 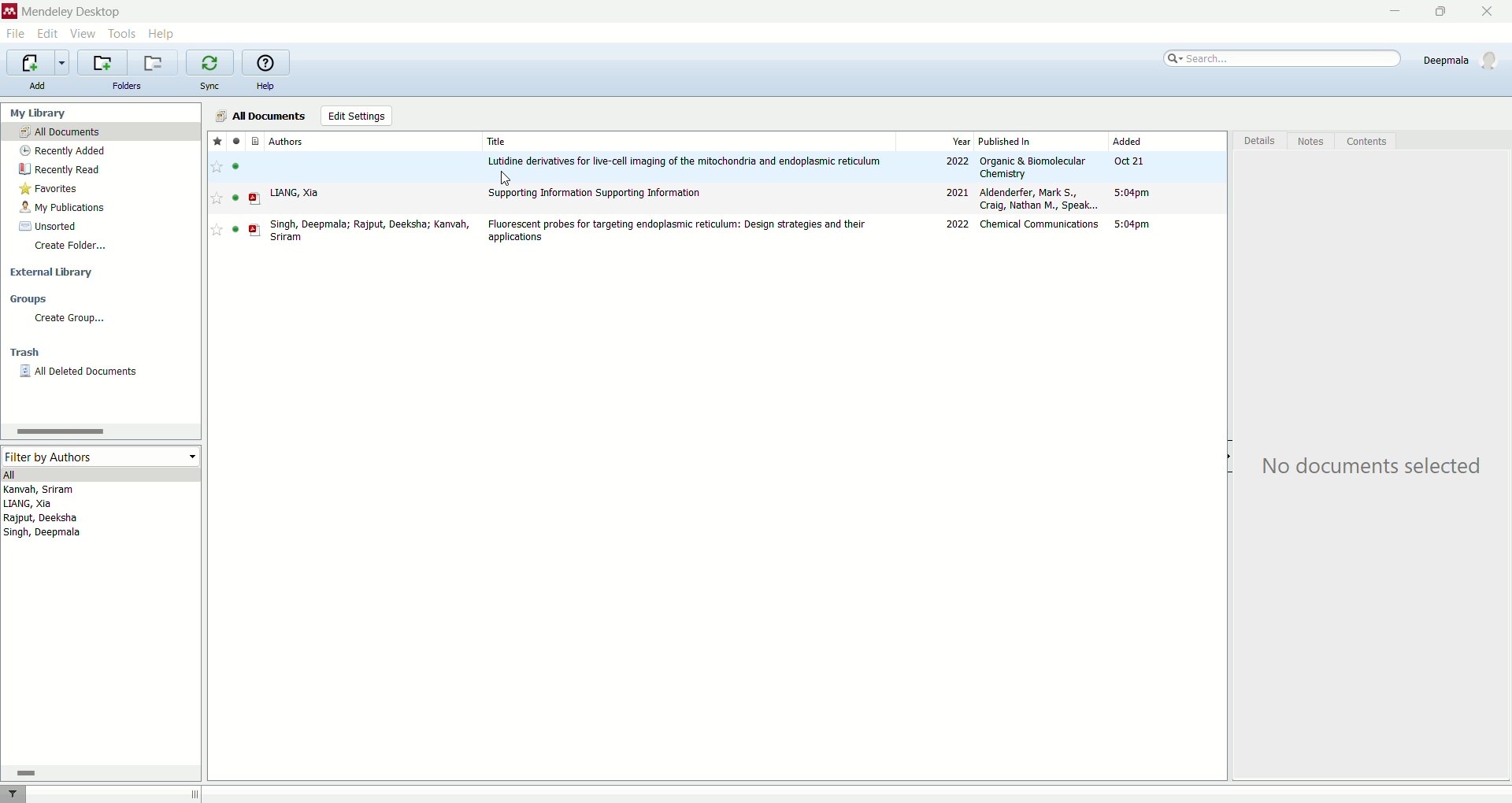 What do you see at coordinates (1254, 143) in the screenshot?
I see `details` at bounding box center [1254, 143].